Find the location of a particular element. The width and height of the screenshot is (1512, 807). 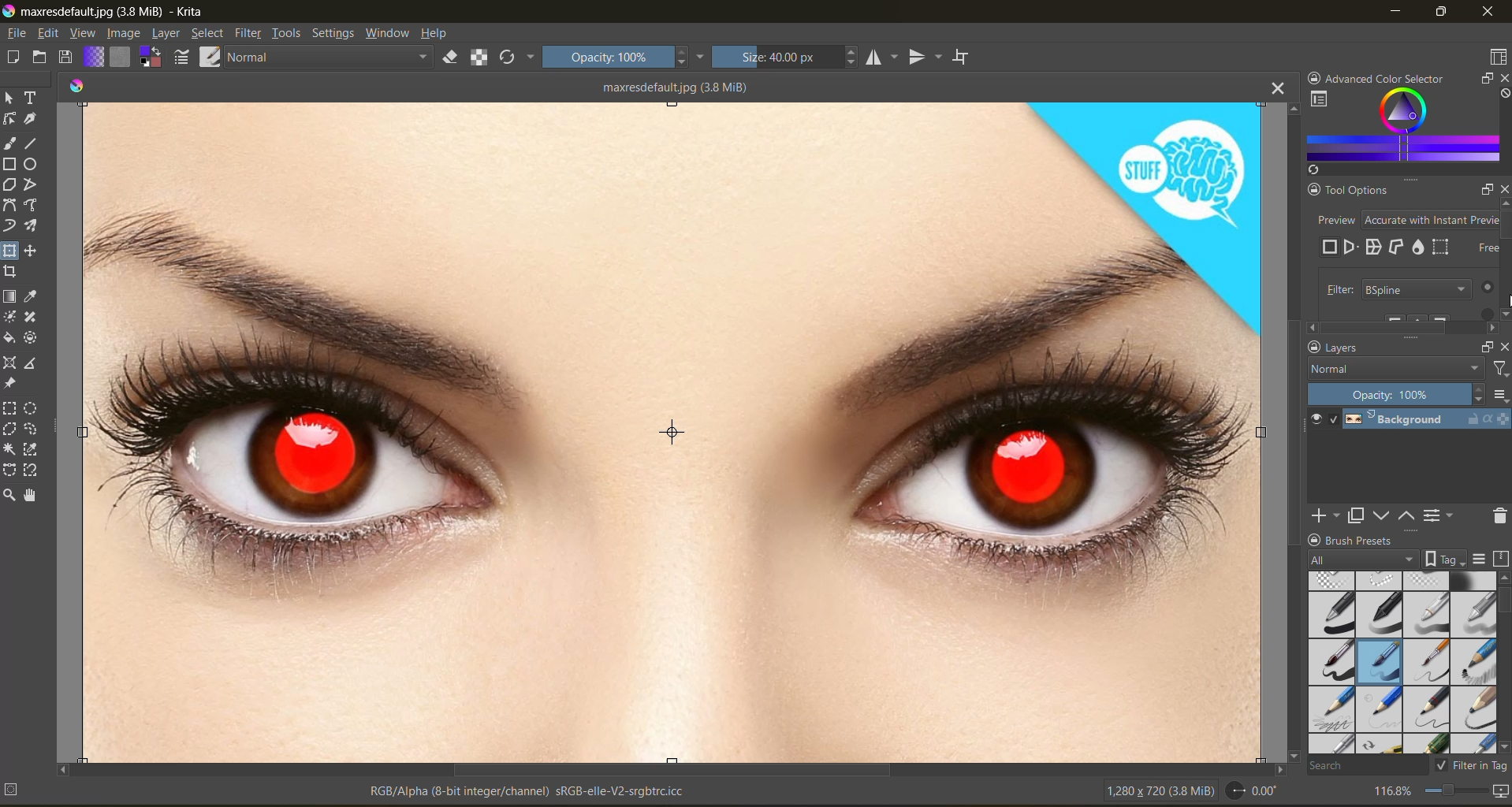

tool is located at coordinates (11, 494).